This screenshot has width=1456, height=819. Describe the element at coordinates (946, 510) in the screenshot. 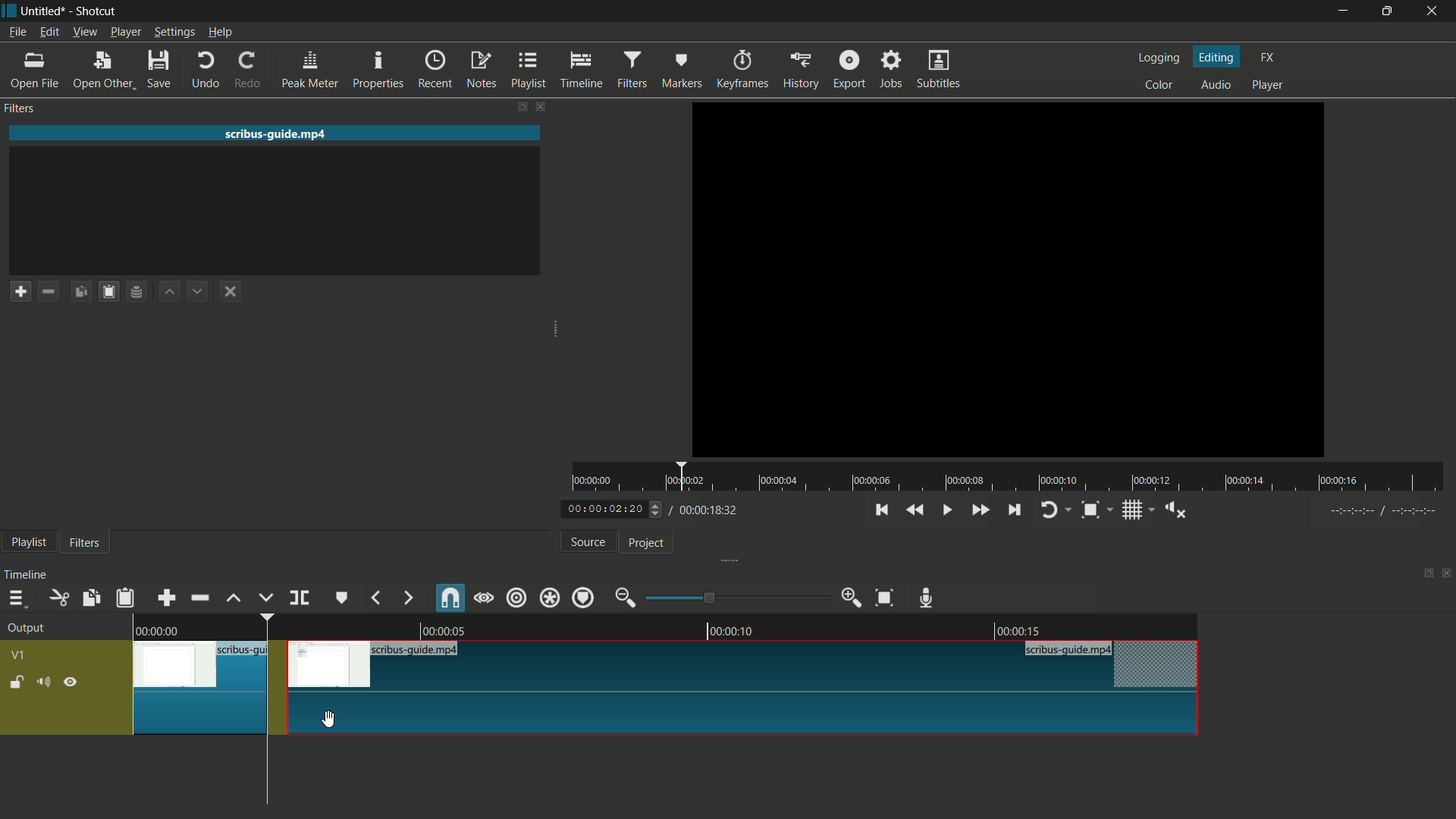

I see `toggle play or pause` at that location.